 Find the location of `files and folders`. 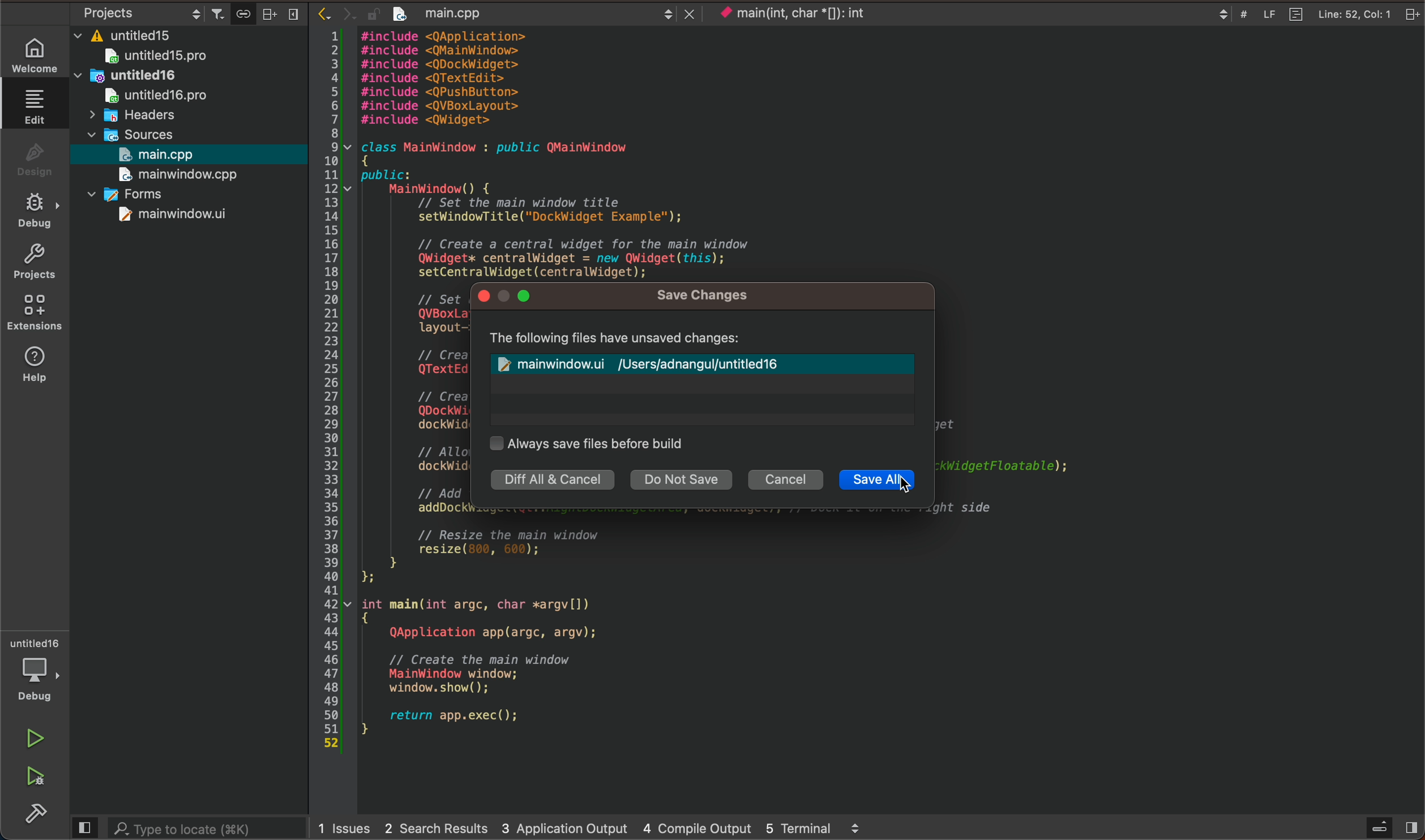

files and folders is located at coordinates (193, 36).